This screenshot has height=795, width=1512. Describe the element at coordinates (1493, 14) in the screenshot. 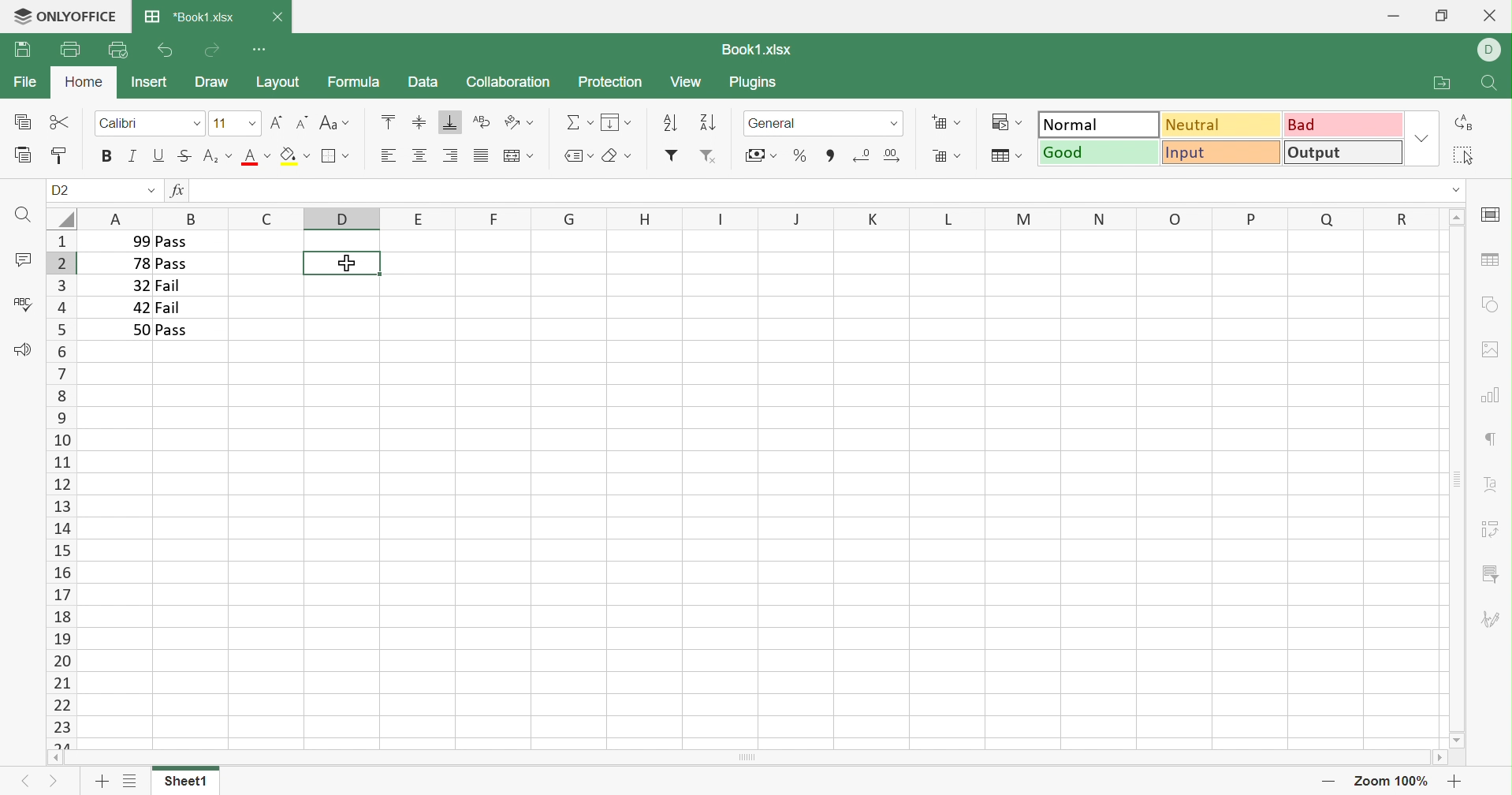

I see `Close` at that location.